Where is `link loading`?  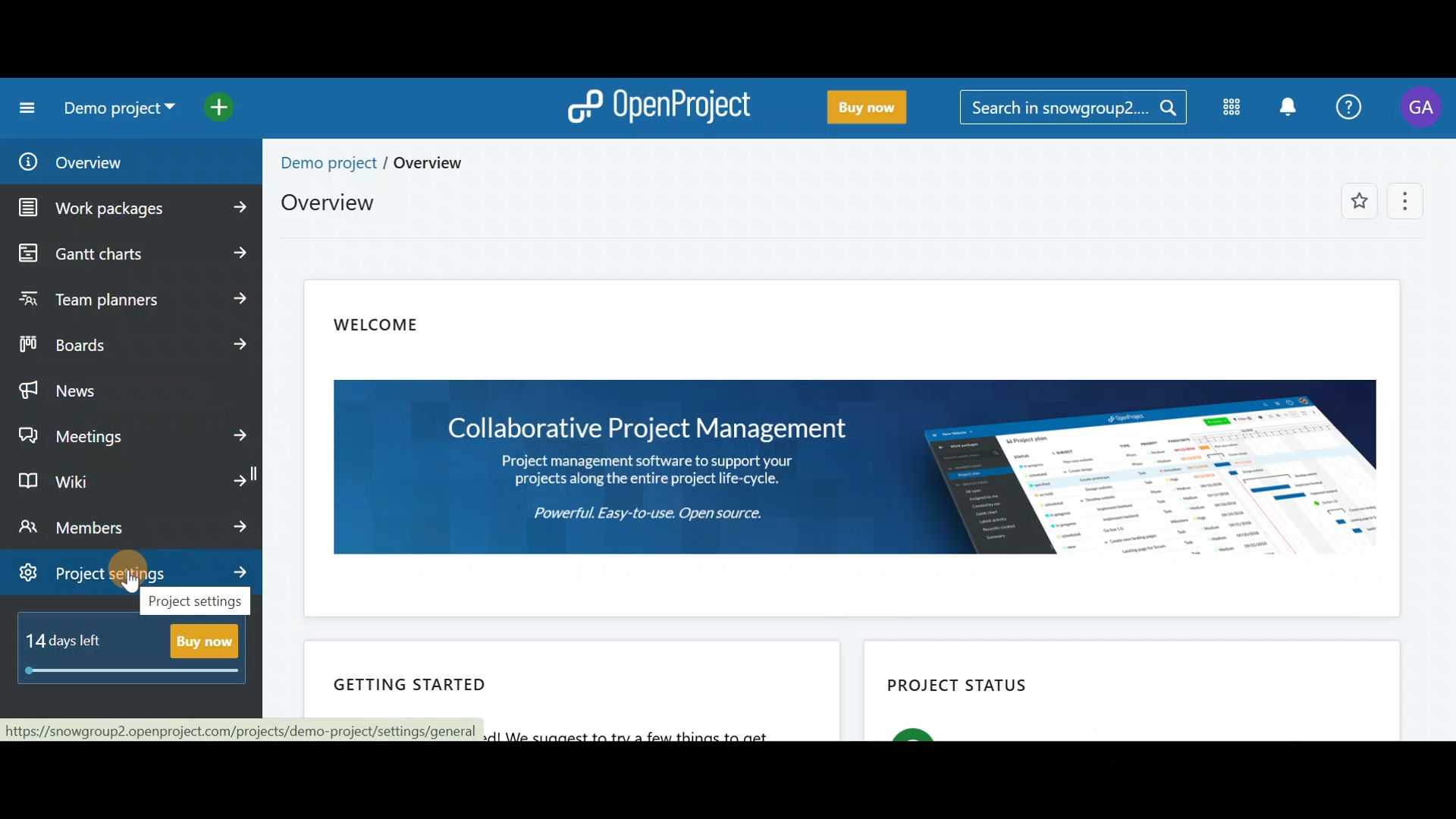 link loading is located at coordinates (149, 730).